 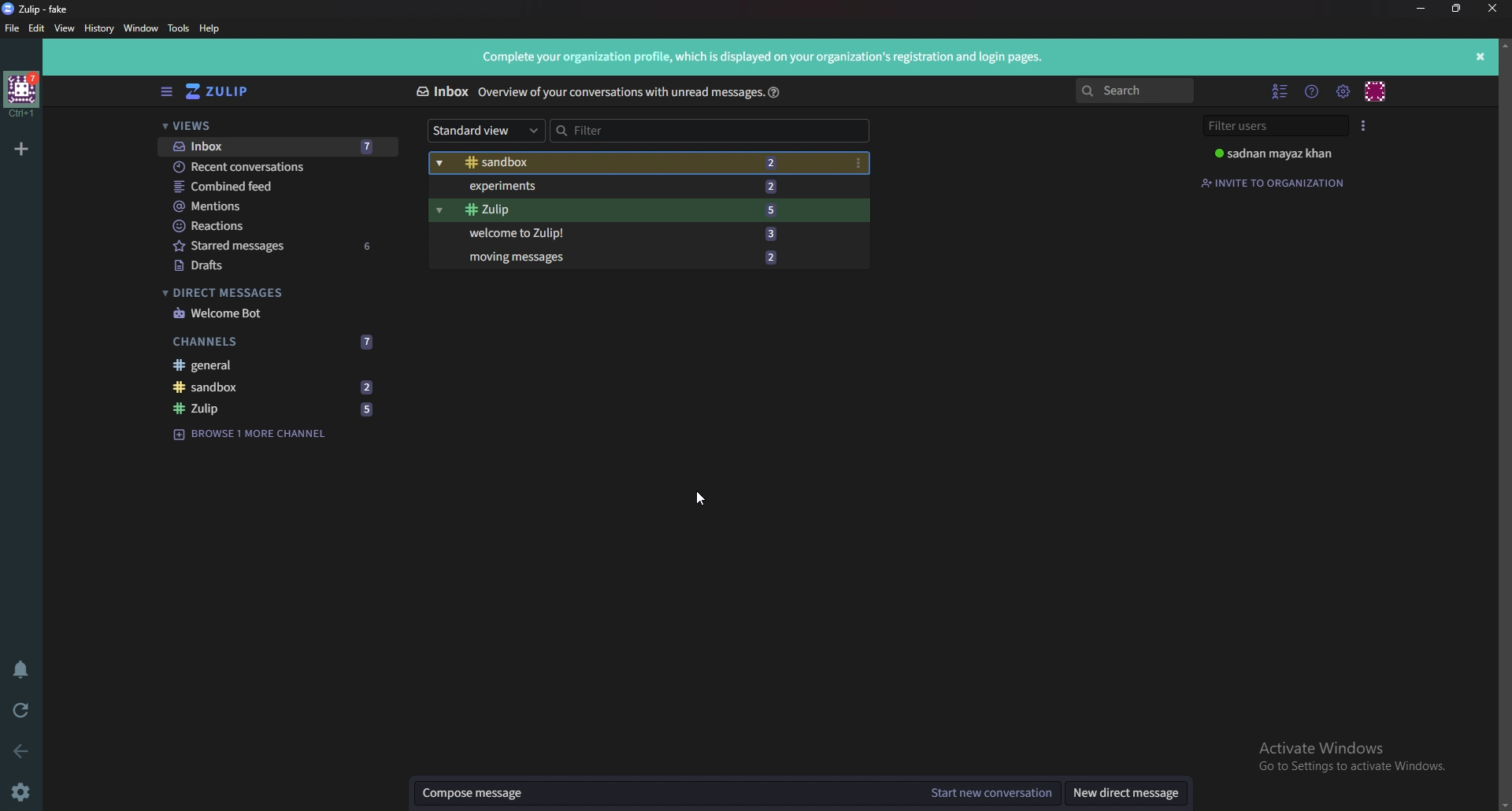 I want to click on Enable do not disturb, so click(x=22, y=669).